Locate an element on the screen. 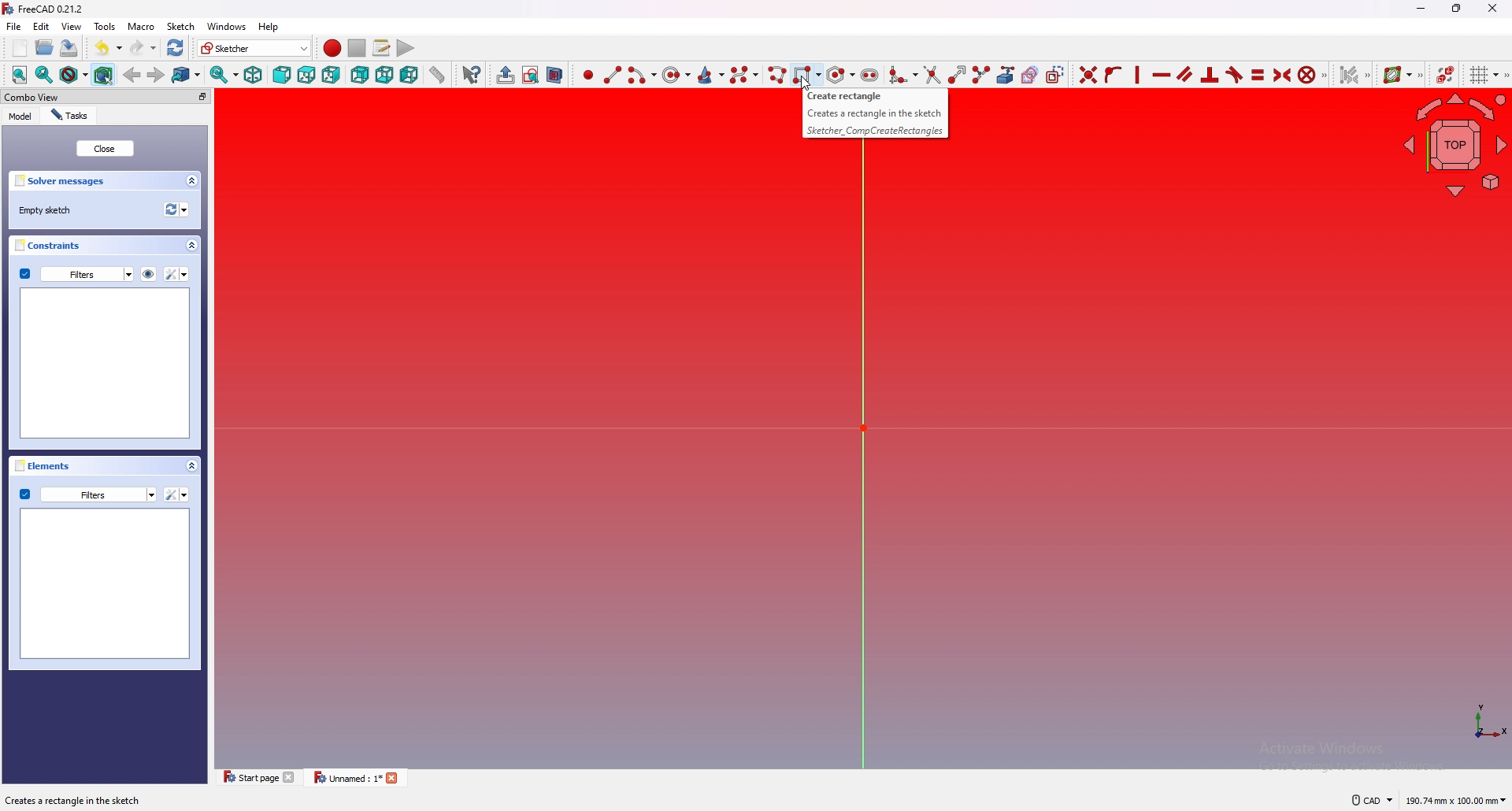  top is located at coordinates (306, 75).